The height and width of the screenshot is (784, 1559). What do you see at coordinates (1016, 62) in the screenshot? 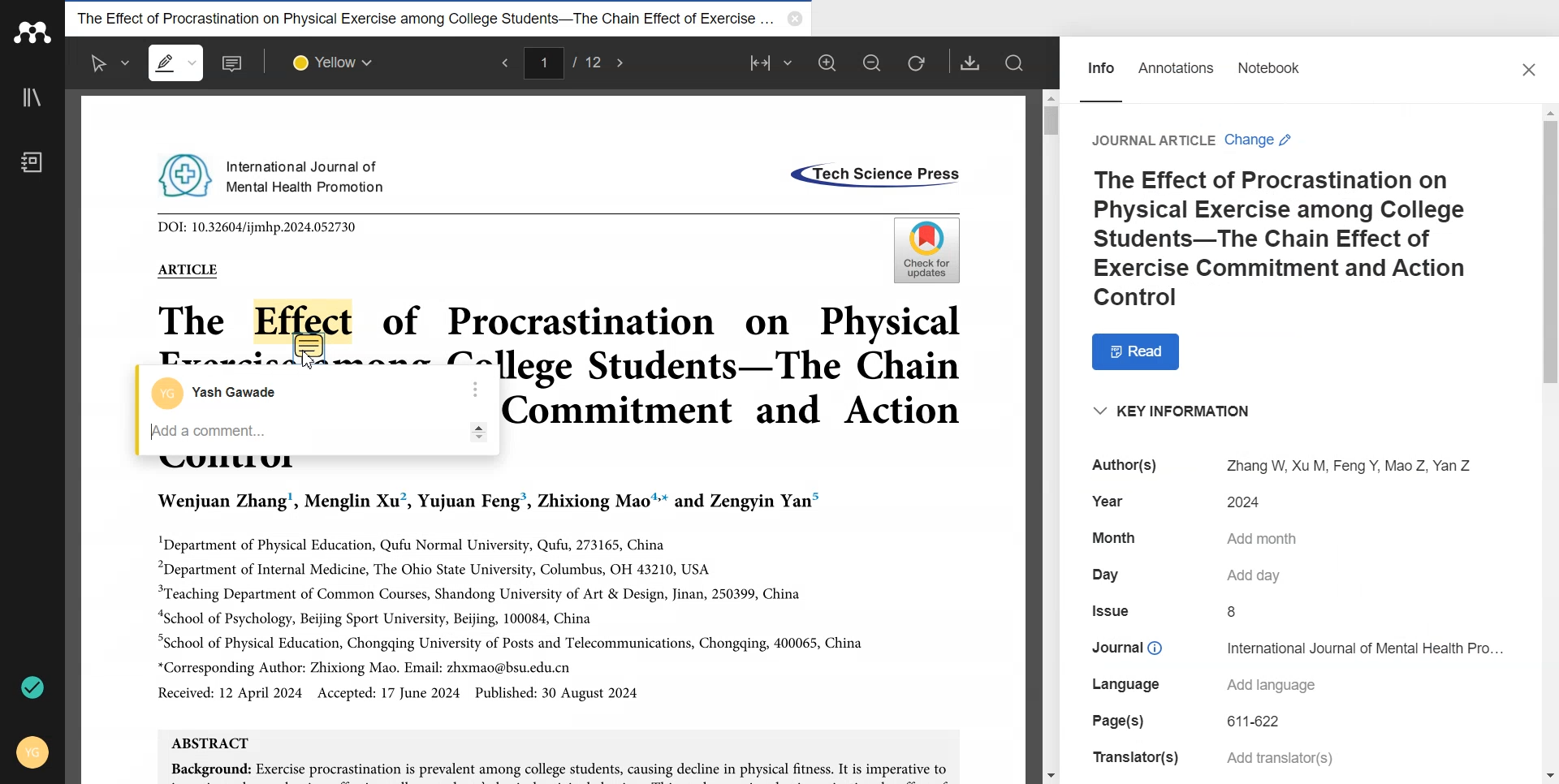
I see `Search` at bounding box center [1016, 62].